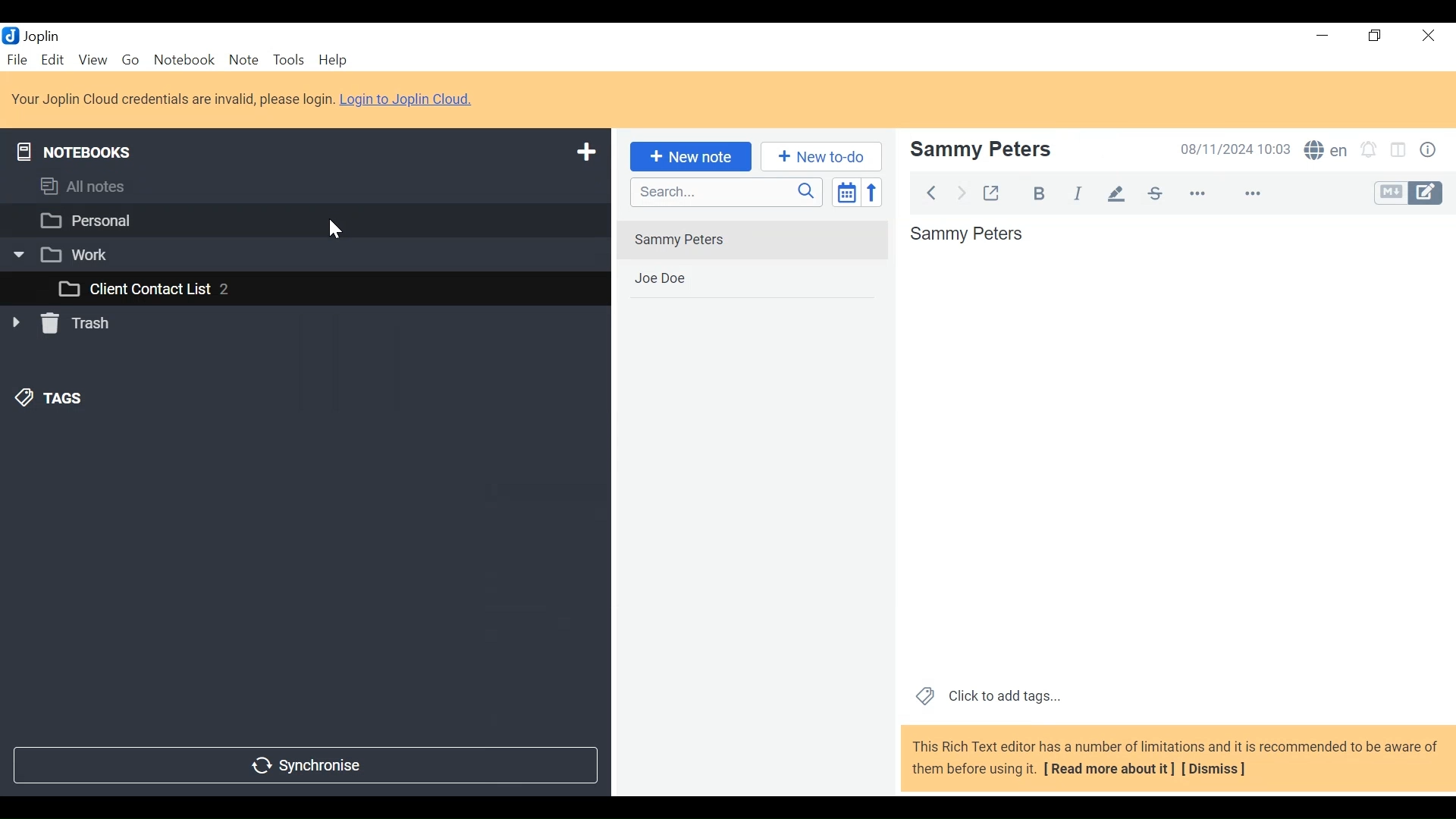  I want to click on cursor, so click(332, 227).